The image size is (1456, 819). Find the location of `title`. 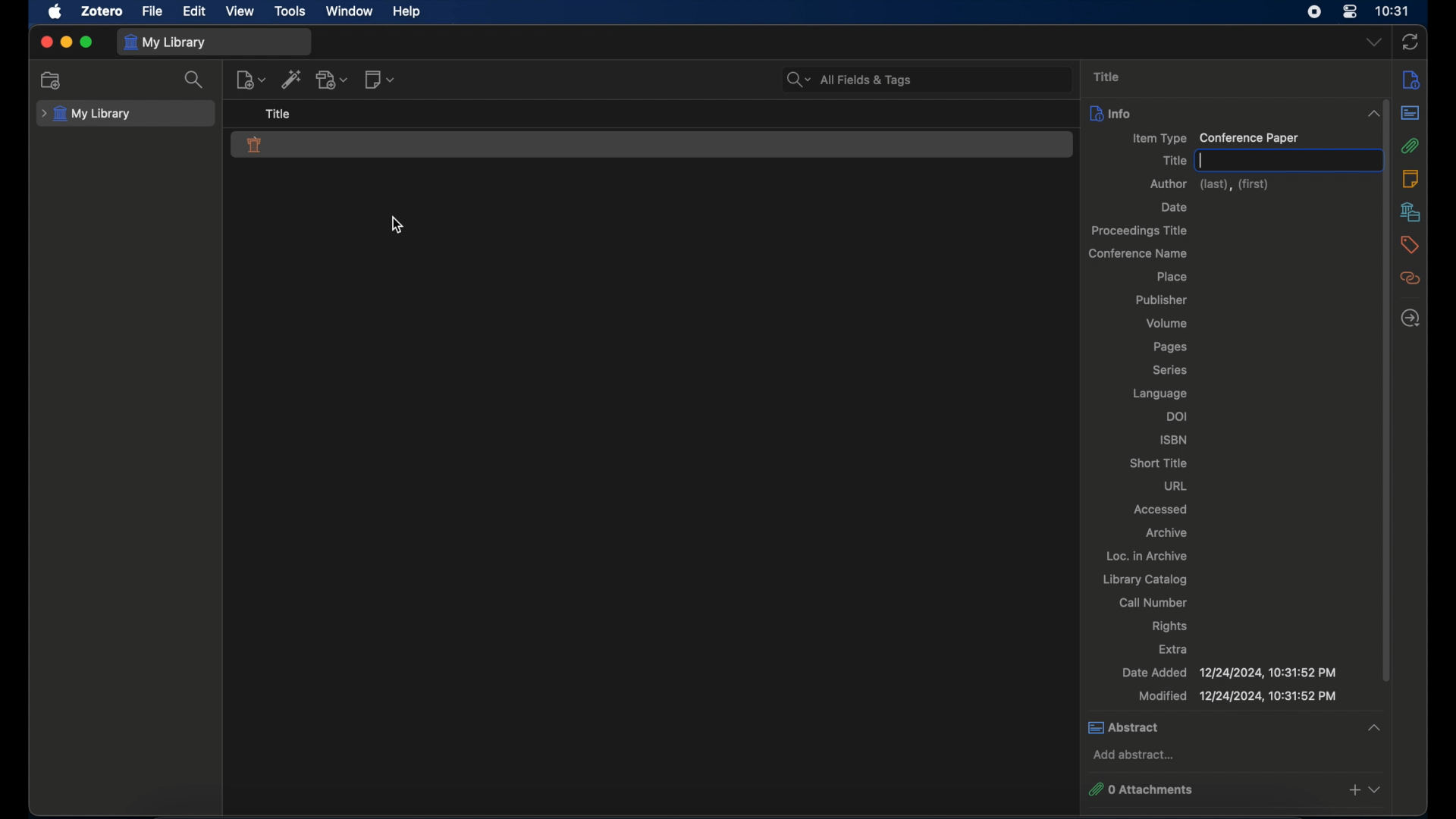

title is located at coordinates (1106, 77).